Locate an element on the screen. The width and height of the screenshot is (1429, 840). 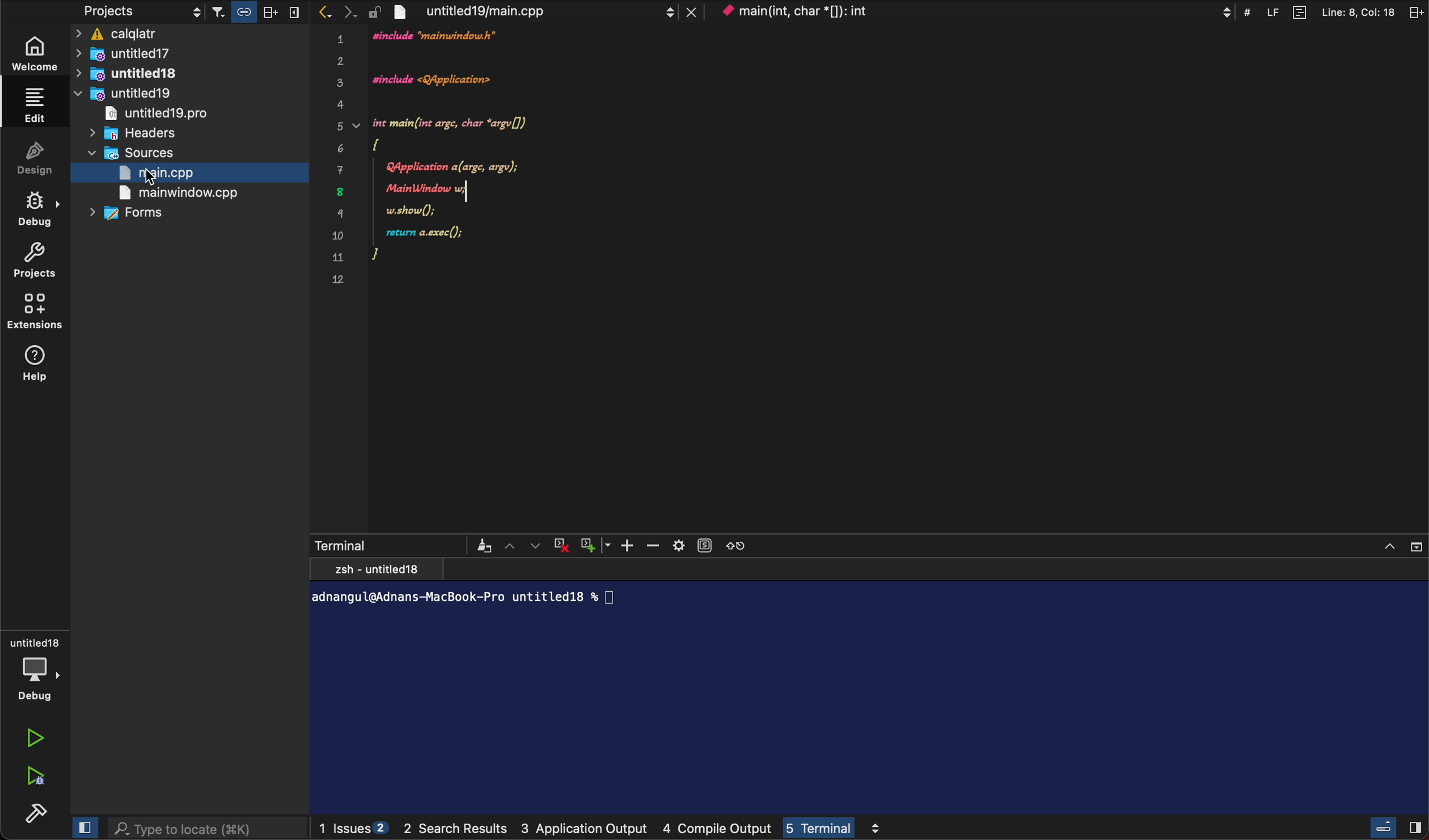
untitled19 is located at coordinates (122, 93).